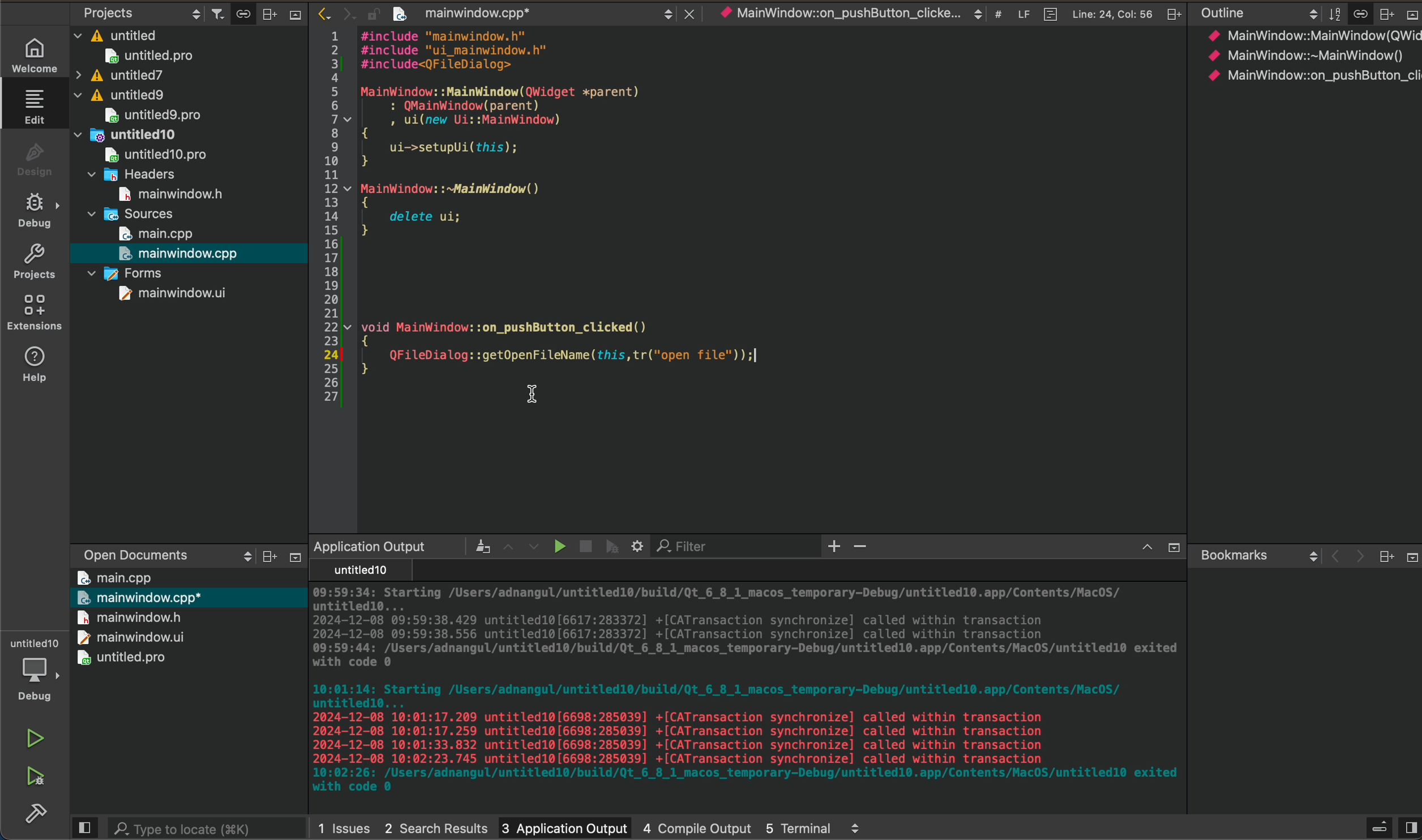 The width and height of the screenshot is (1422, 840). I want to click on cursor, so click(532, 396).